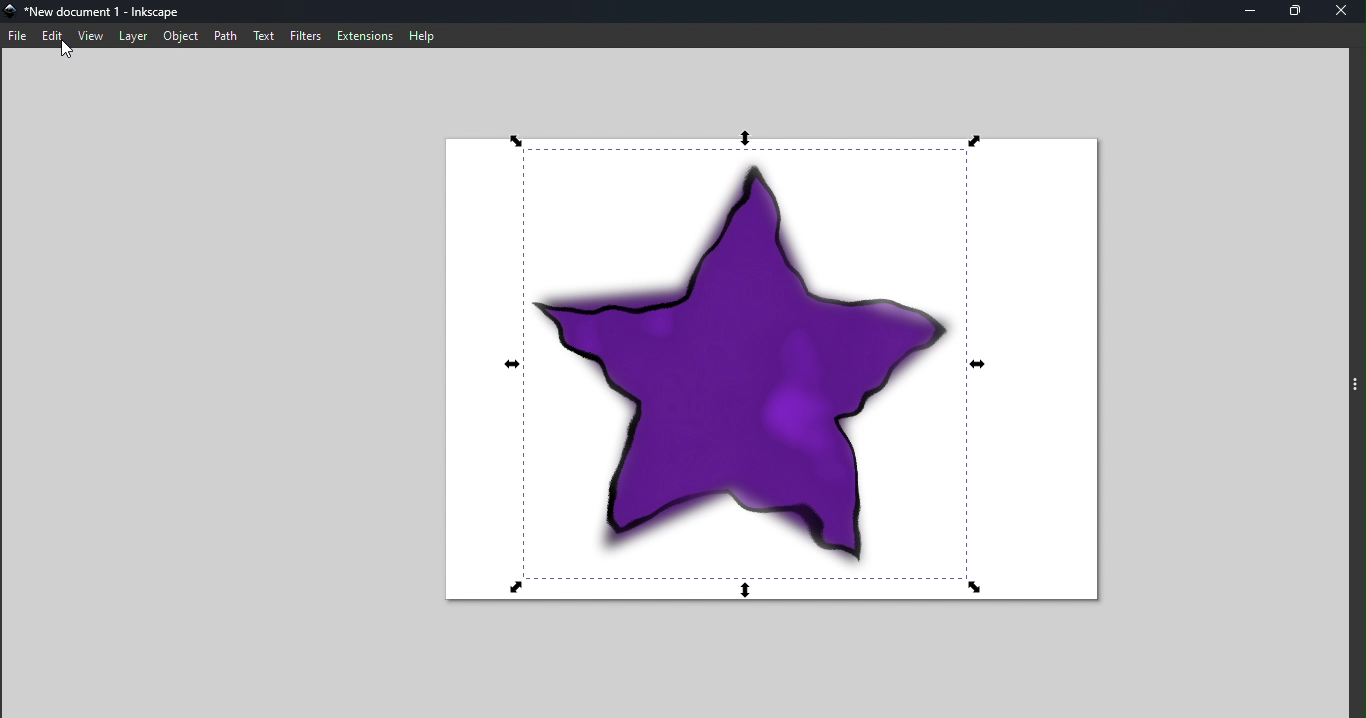 This screenshot has width=1366, height=718. What do you see at coordinates (422, 34) in the screenshot?
I see `Help` at bounding box center [422, 34].